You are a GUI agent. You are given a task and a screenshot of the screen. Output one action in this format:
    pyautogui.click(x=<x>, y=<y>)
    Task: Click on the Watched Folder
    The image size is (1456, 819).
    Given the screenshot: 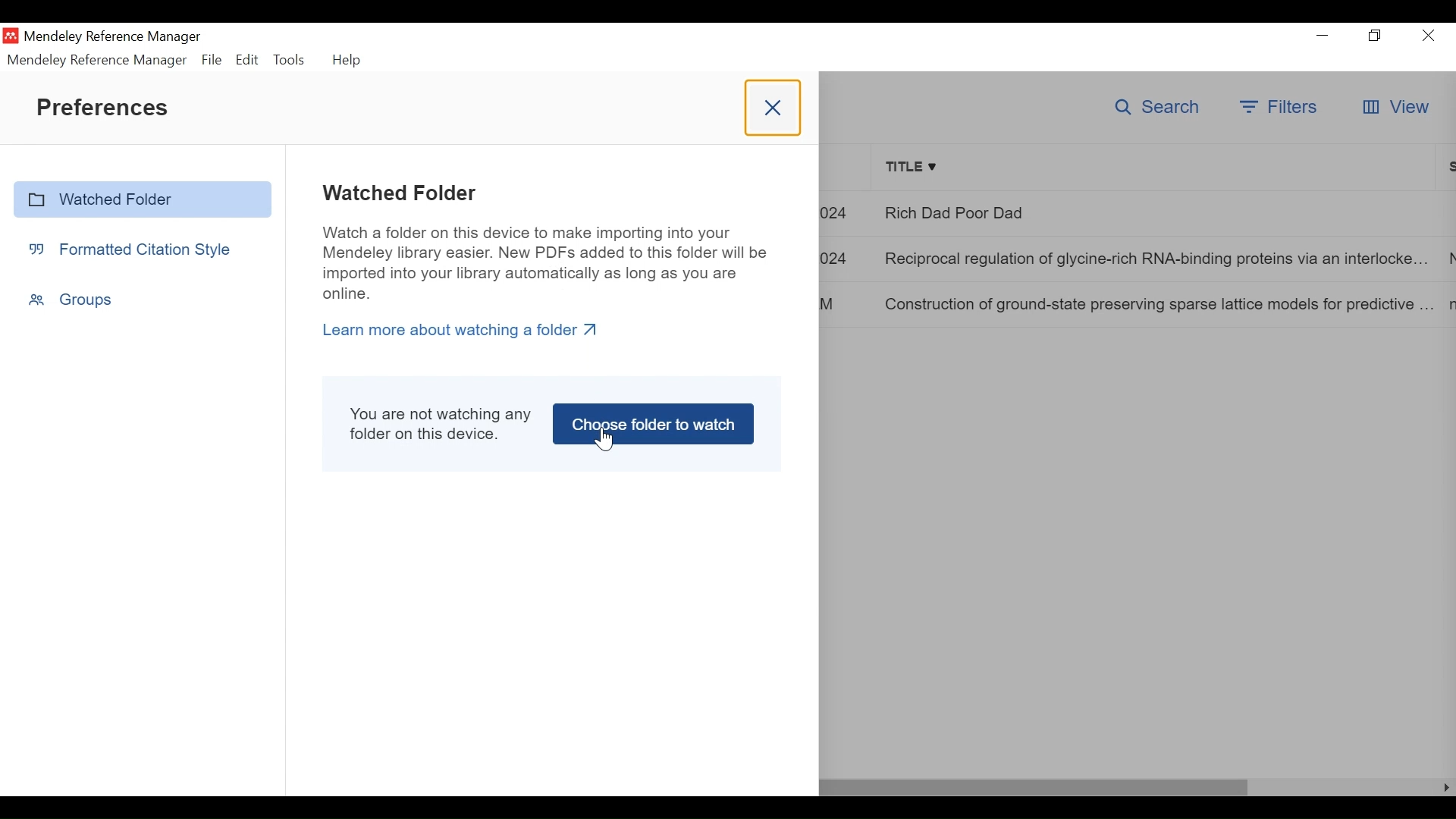 What is the action you would take?
    pyautogui.click(x=399, y=192)
    